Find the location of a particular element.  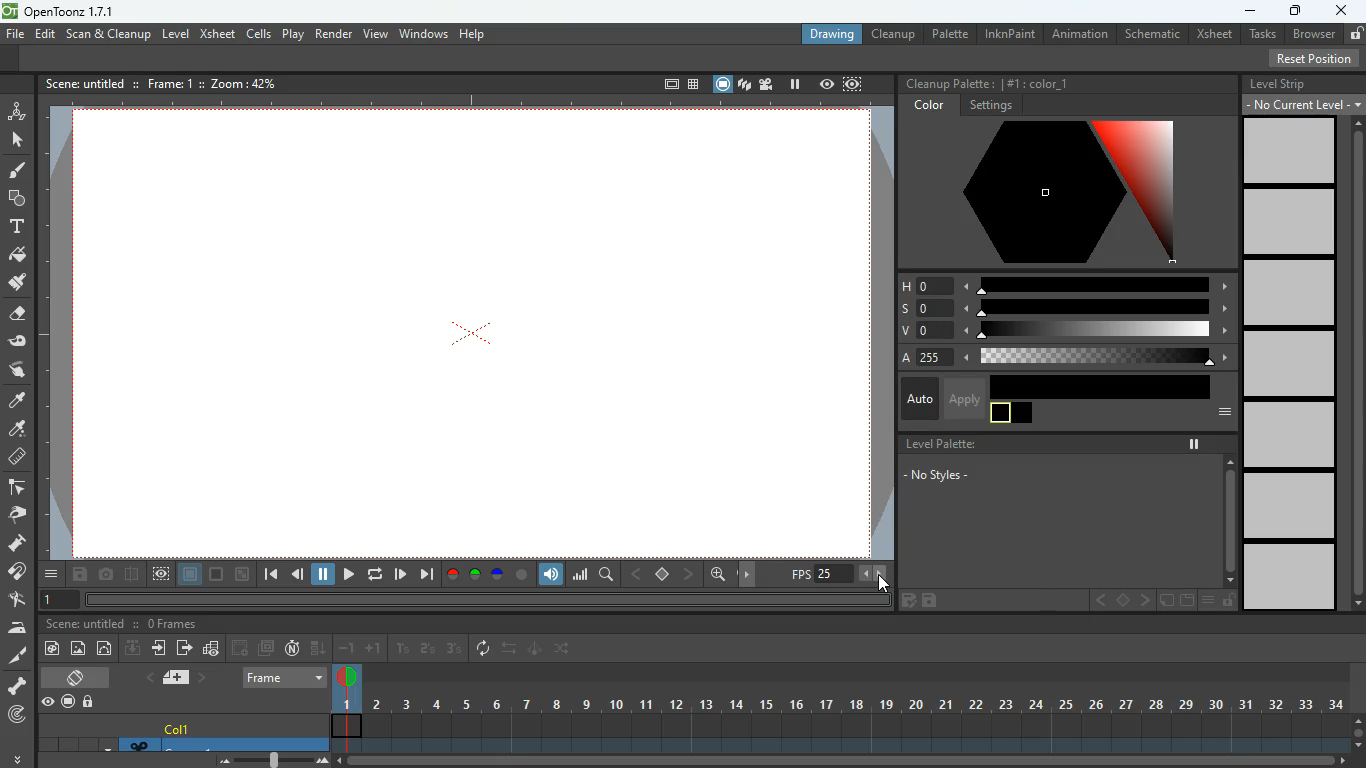

no styles is located at coordinates (951, 476).